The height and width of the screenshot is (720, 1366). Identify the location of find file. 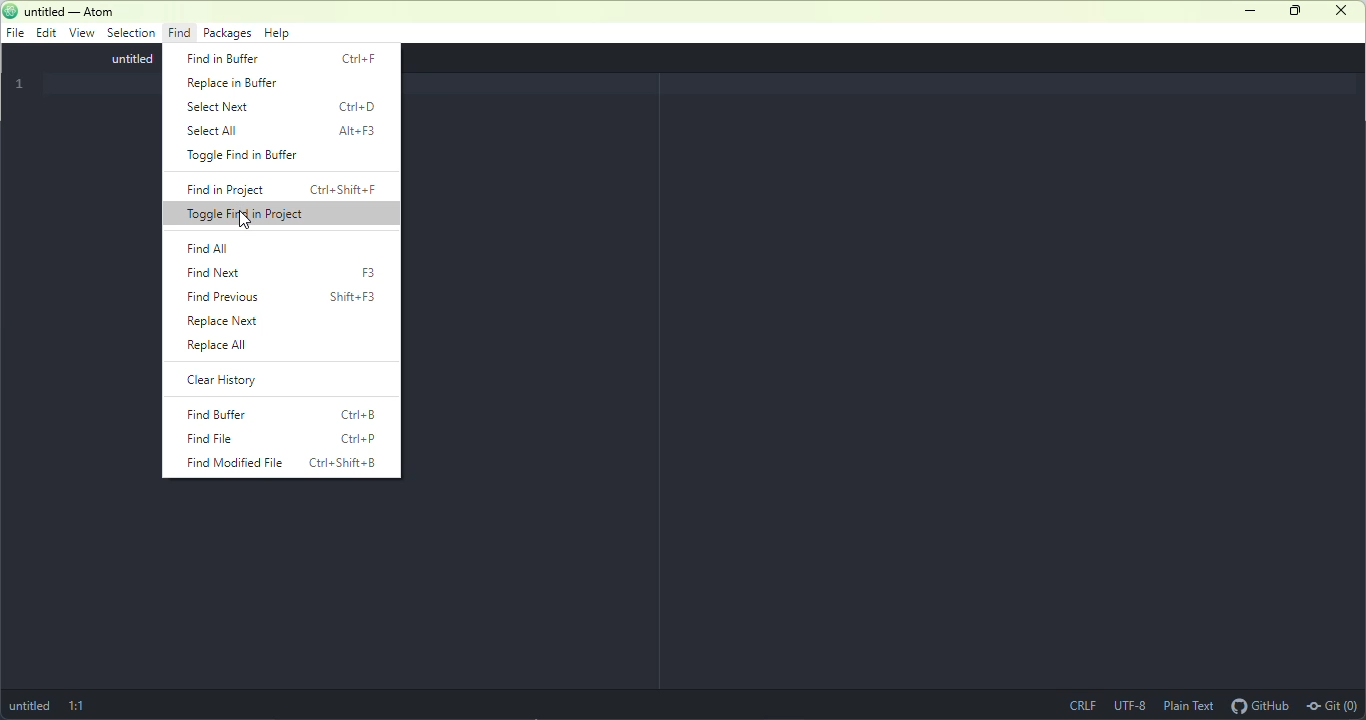
(281, 438).